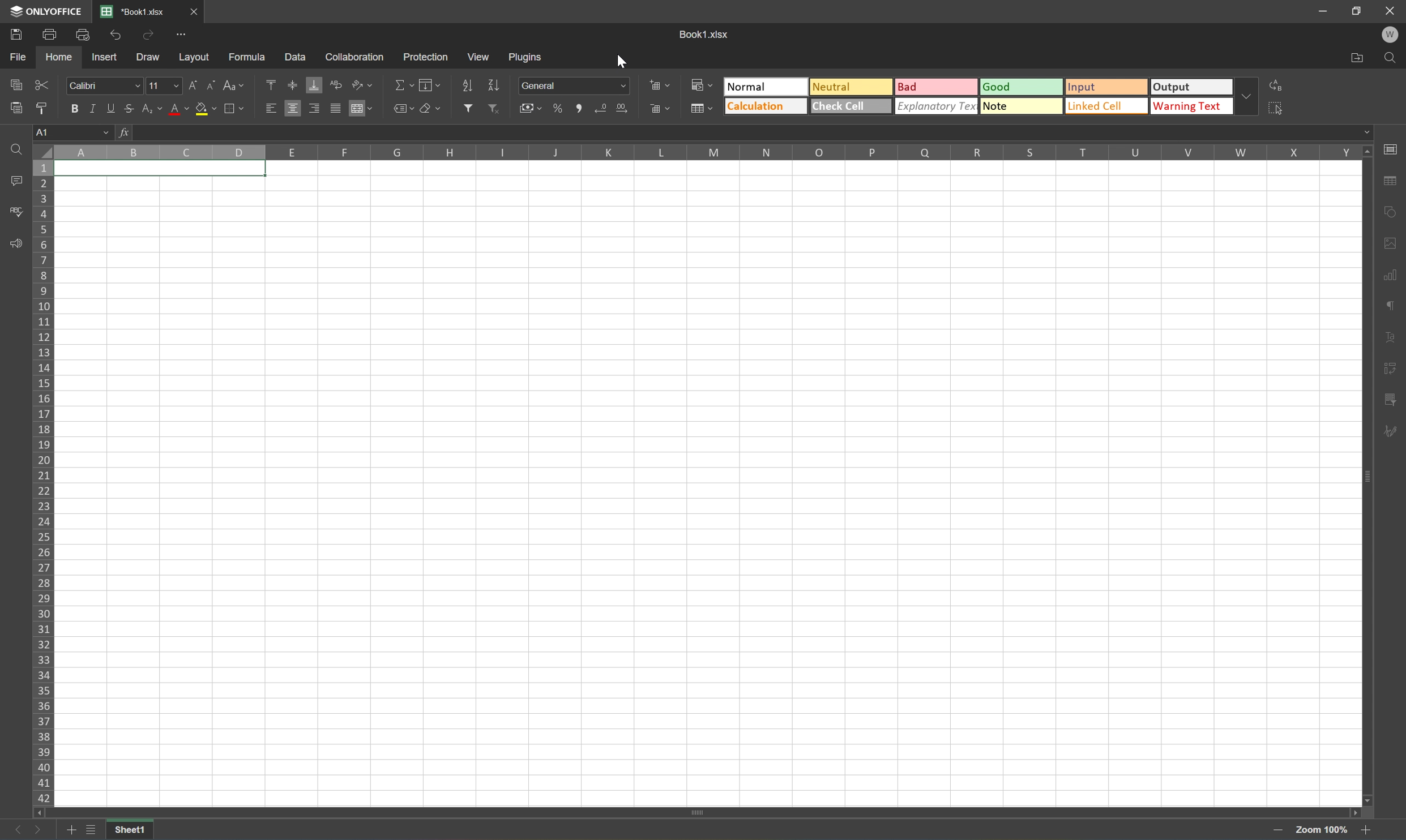  Describe the element at coordinates (848, 85) in the screenshot. I see `Neutral` at that location.